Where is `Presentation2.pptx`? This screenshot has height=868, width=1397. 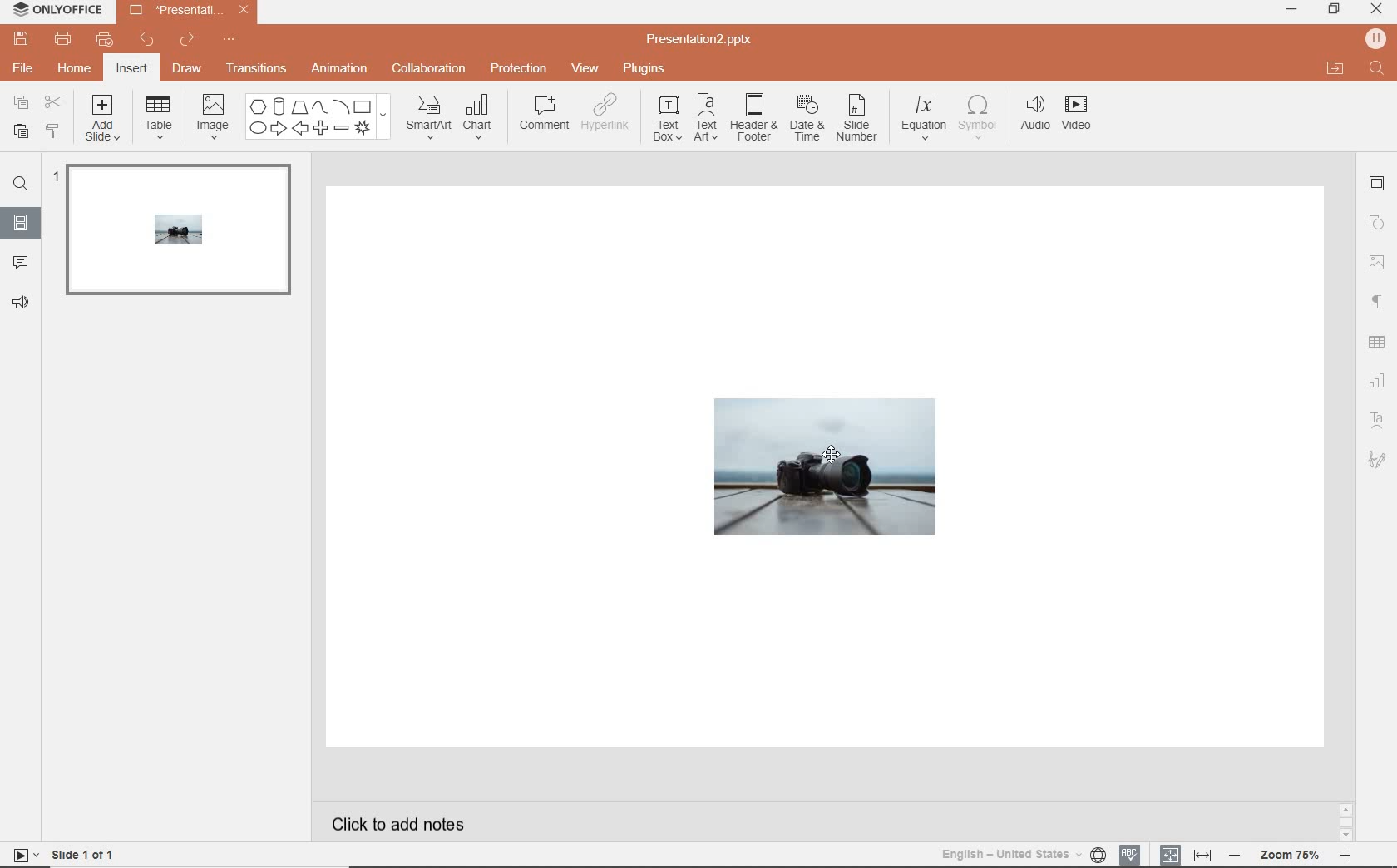
Presentation2.pptx is located at coordinates (185, 12).